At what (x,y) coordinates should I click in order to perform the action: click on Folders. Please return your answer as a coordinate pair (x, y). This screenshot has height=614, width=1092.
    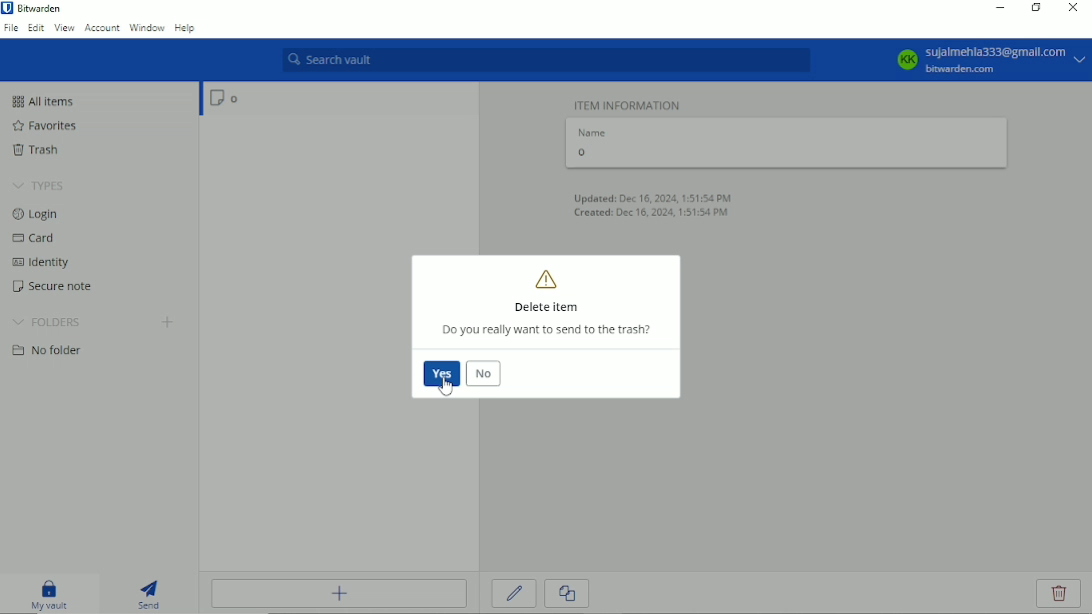
    Looking at the image, I should click on (47, 323).